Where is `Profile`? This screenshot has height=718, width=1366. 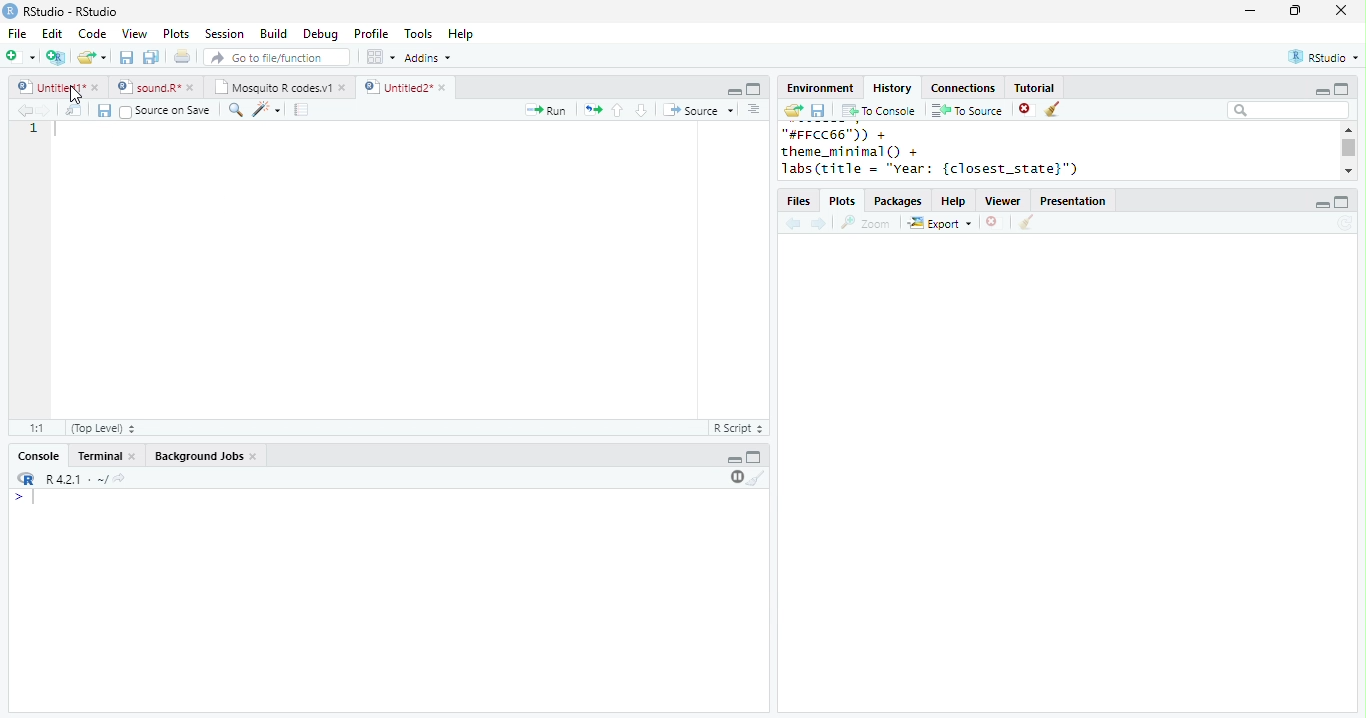 Profile is located at coordinates (371, 33).